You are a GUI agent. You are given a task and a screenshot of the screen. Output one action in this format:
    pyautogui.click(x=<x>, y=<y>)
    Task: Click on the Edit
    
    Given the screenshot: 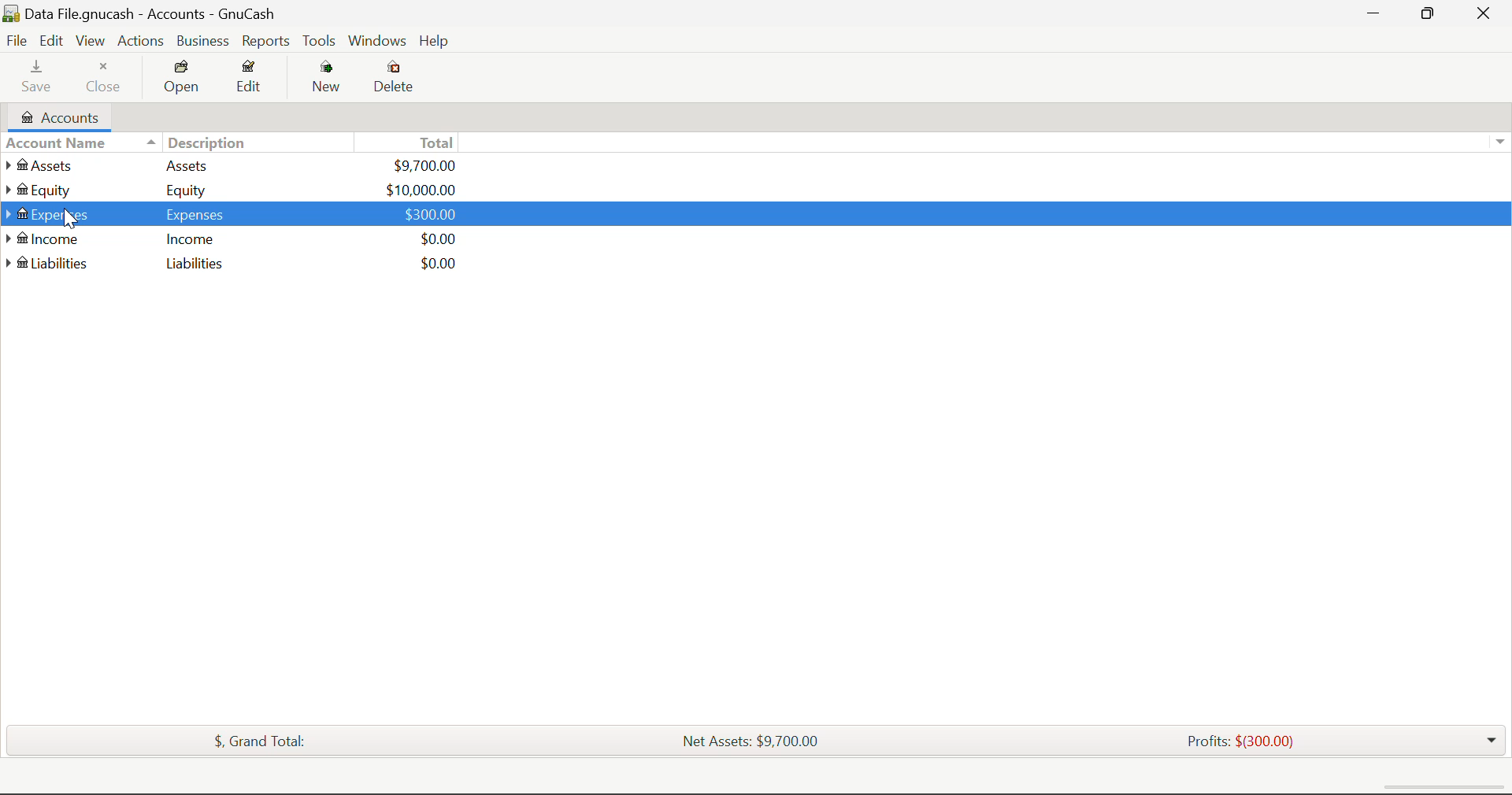 What is the action you would take?
    pyautogui.click(x=54, y=42)
    